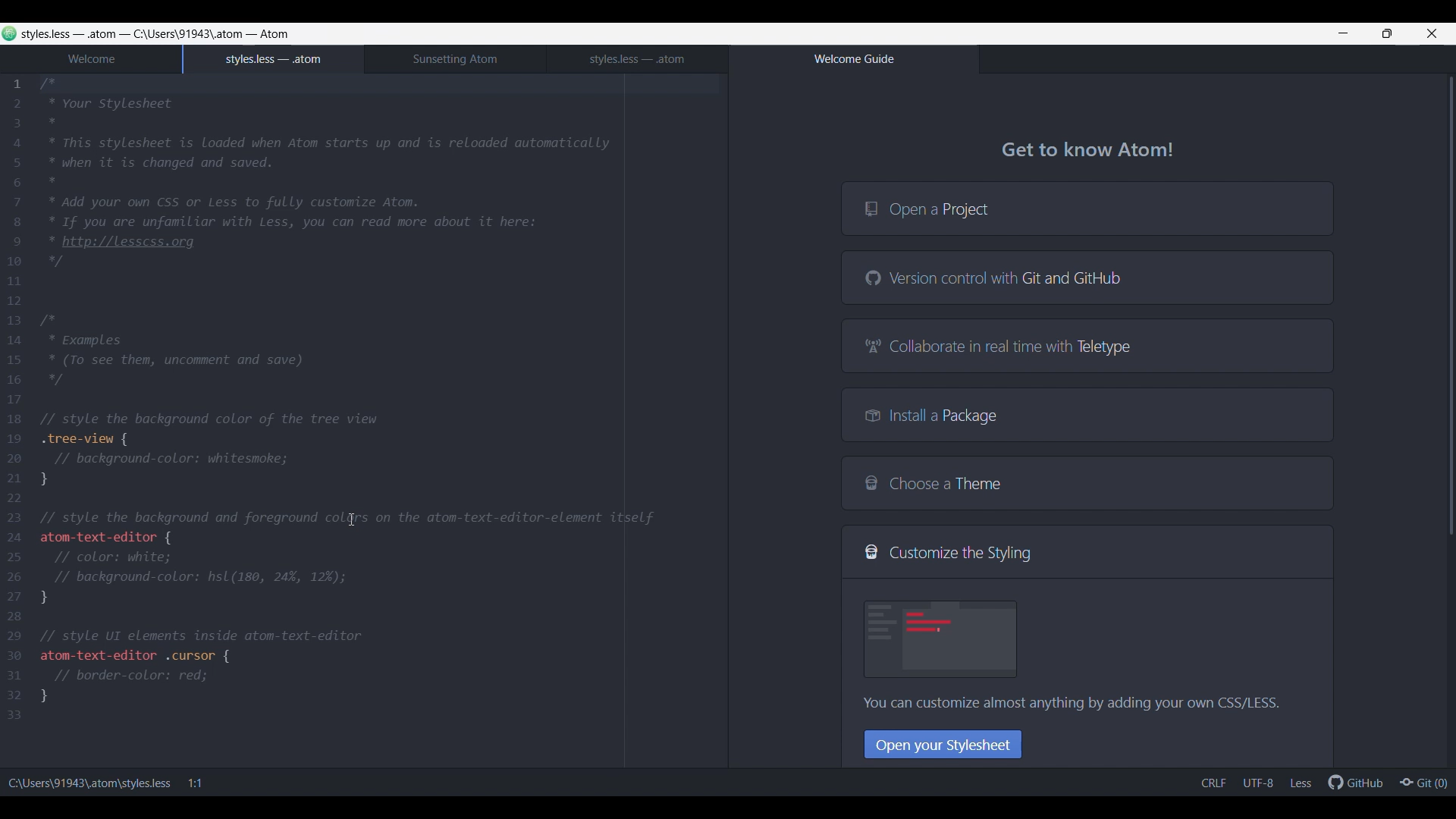 The image size is (1456, 819). What do you see at coordinates (1061, 706) in the screenshot?
I see `You can customize almost anything by adding your own CSS/LESS.` at bounding box center [1061, 706].